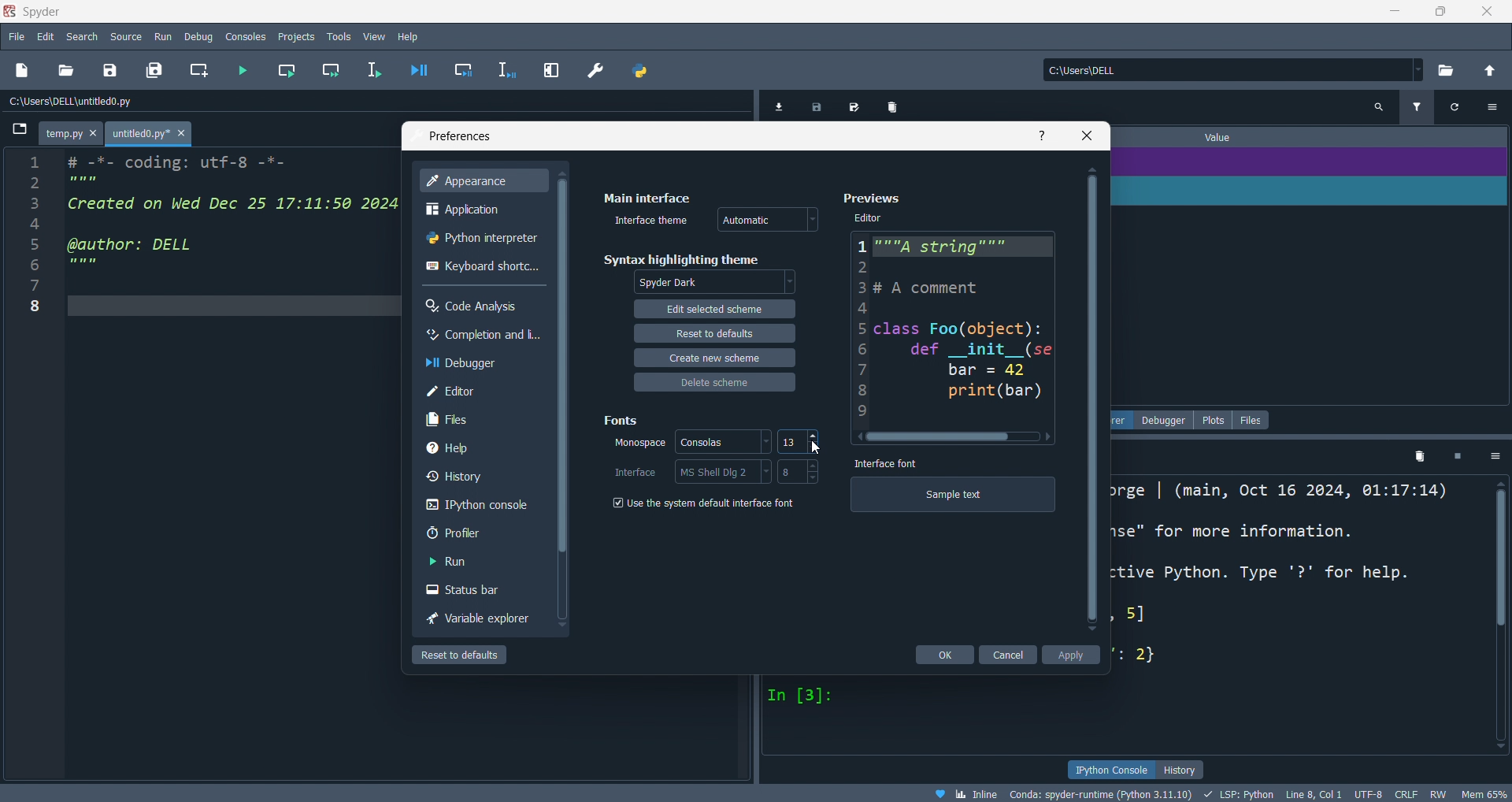  I want to click on hlep, so click(482, 446).